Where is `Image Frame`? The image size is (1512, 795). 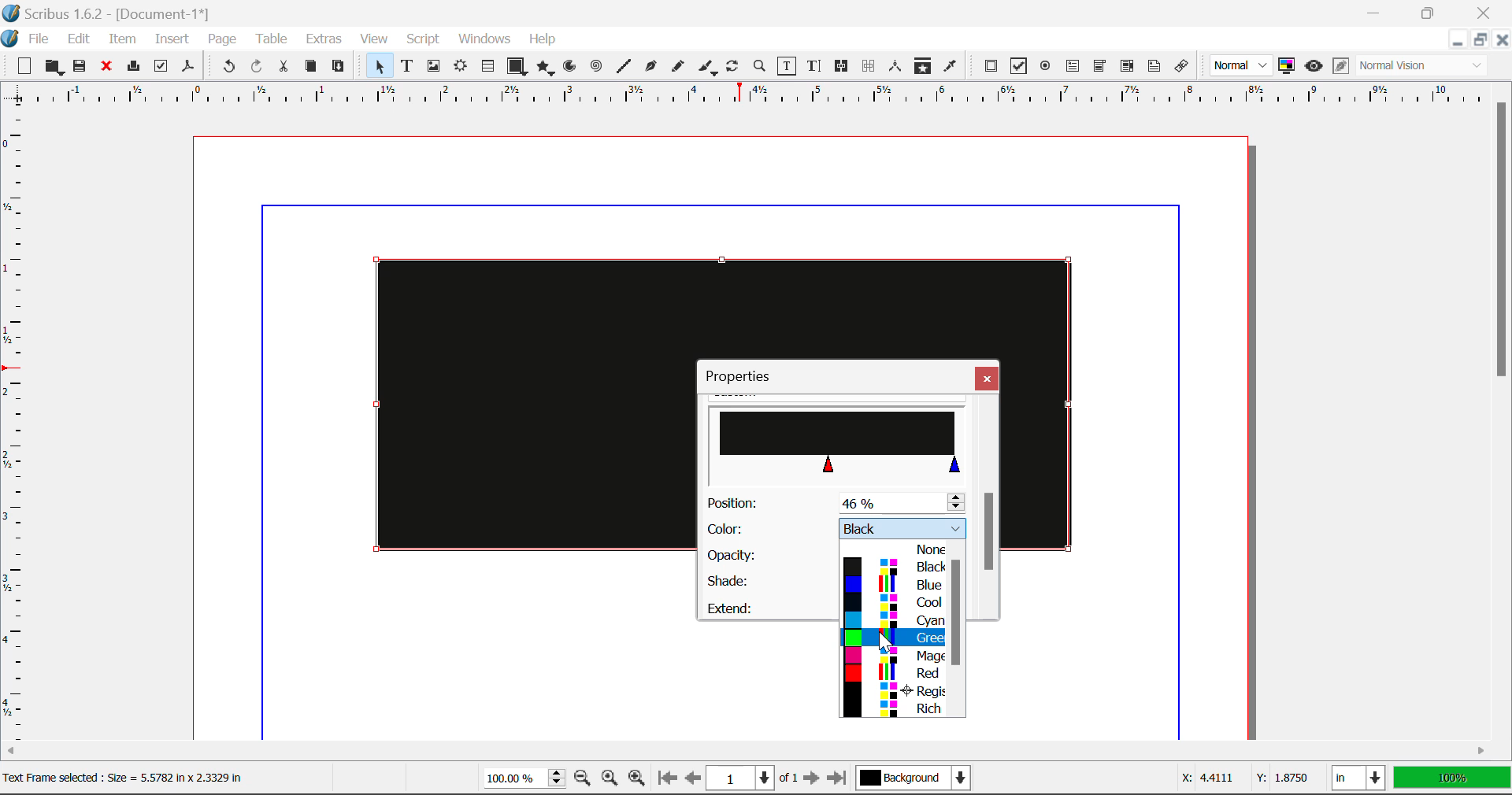 Image Frame is located at coordinates (433, 68).